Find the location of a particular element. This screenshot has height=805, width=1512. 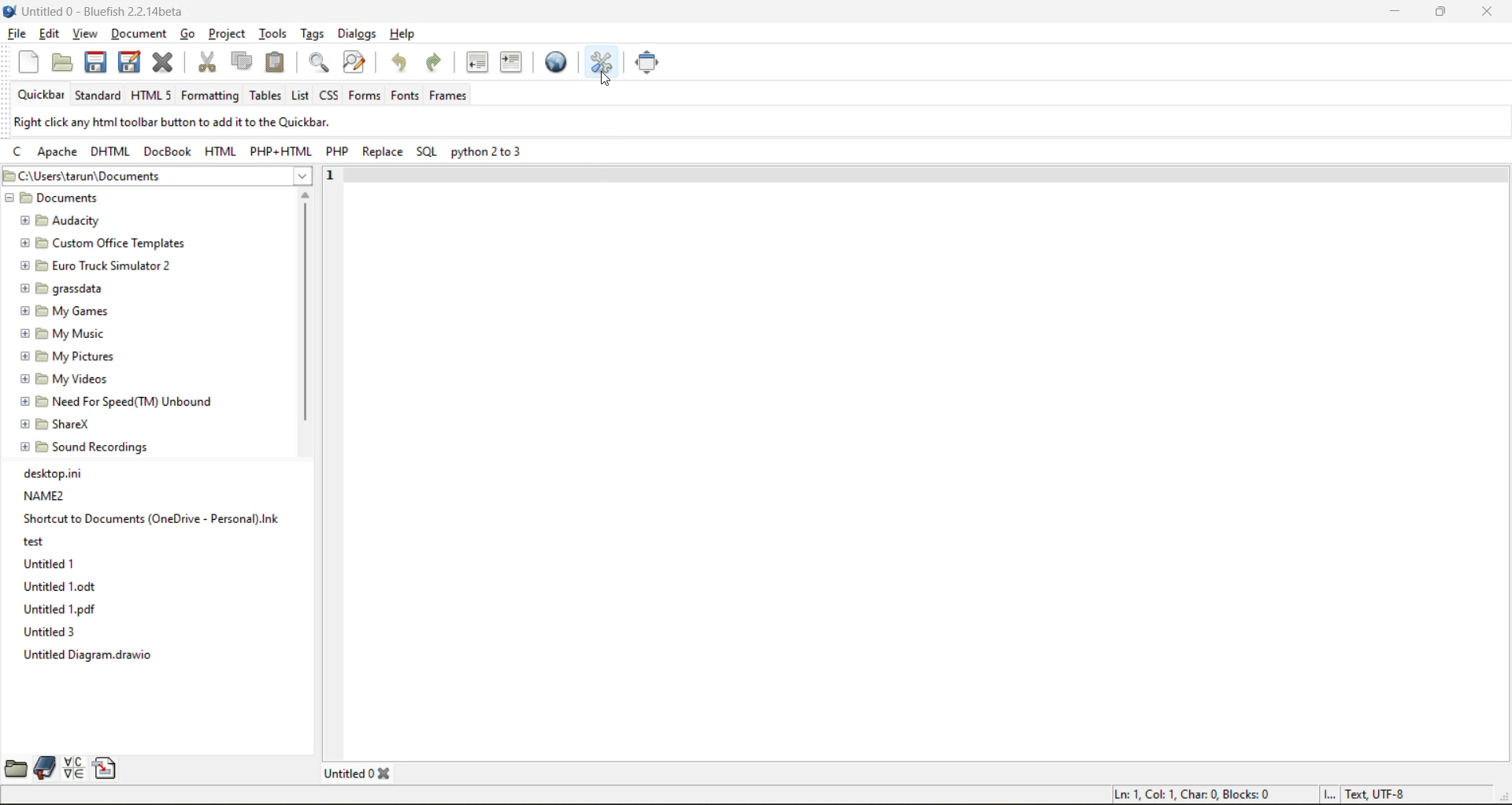

dialogs is located at coordinates (358, 33).